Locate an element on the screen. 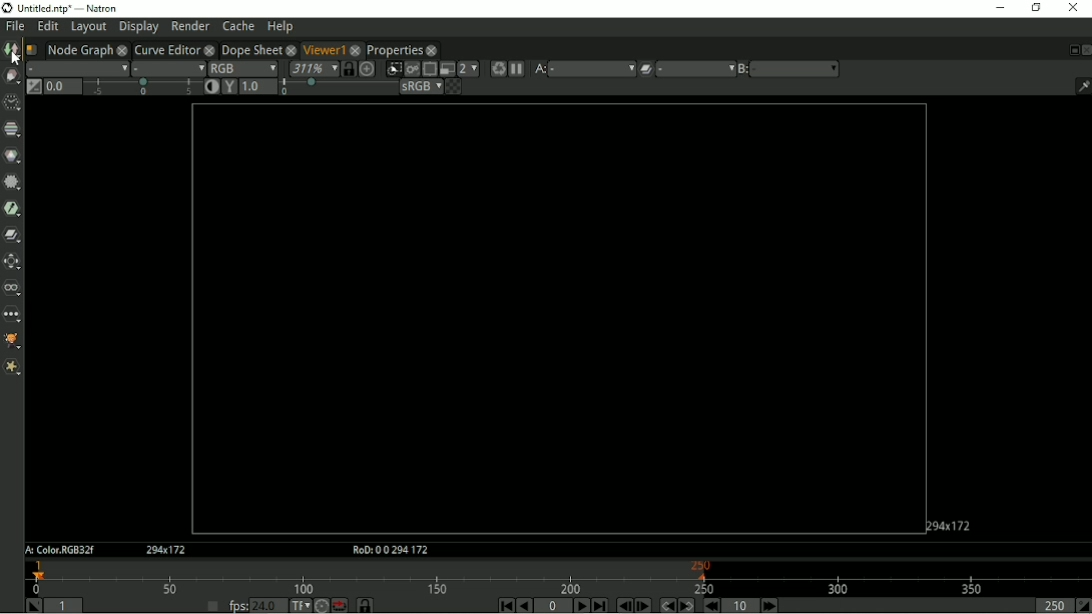 This screenshot has width=1092, height=614. Play backward is located at coordinates (525, 606).